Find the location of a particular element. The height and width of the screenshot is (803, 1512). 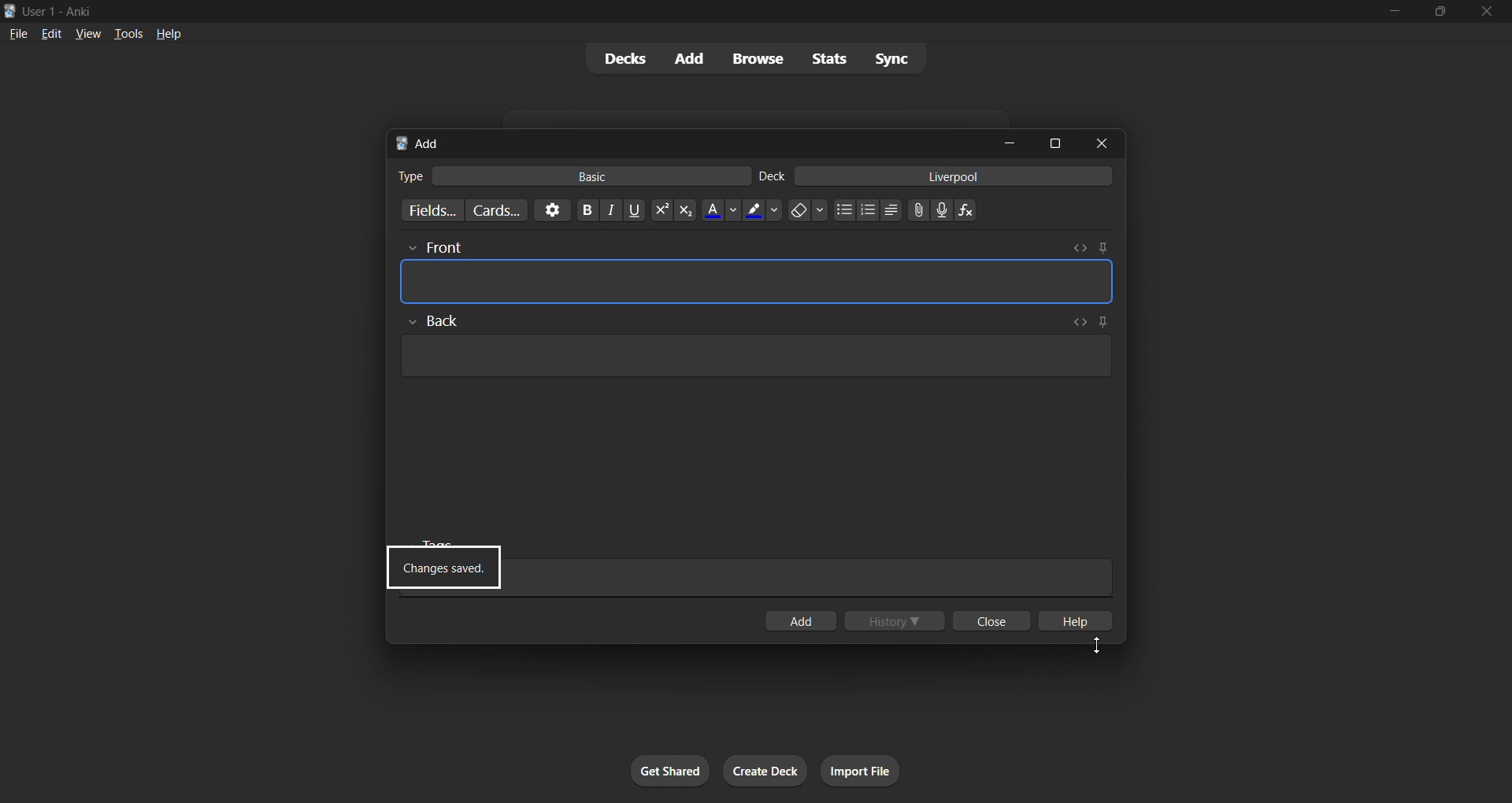

title bar is located at coordinates (661, 10).